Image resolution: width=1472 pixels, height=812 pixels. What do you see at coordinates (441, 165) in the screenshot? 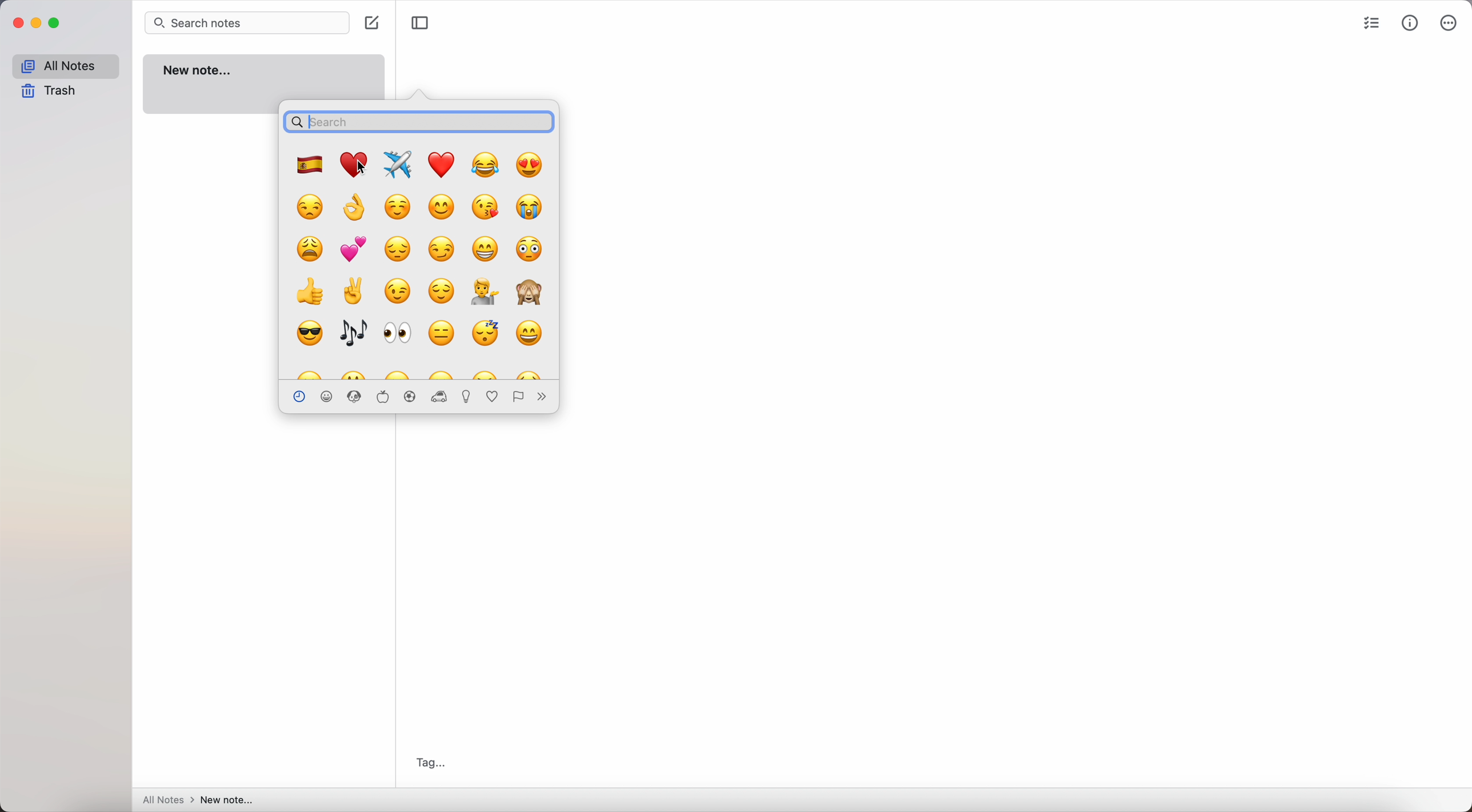
I see `heart` at bounding box center [441, 165].